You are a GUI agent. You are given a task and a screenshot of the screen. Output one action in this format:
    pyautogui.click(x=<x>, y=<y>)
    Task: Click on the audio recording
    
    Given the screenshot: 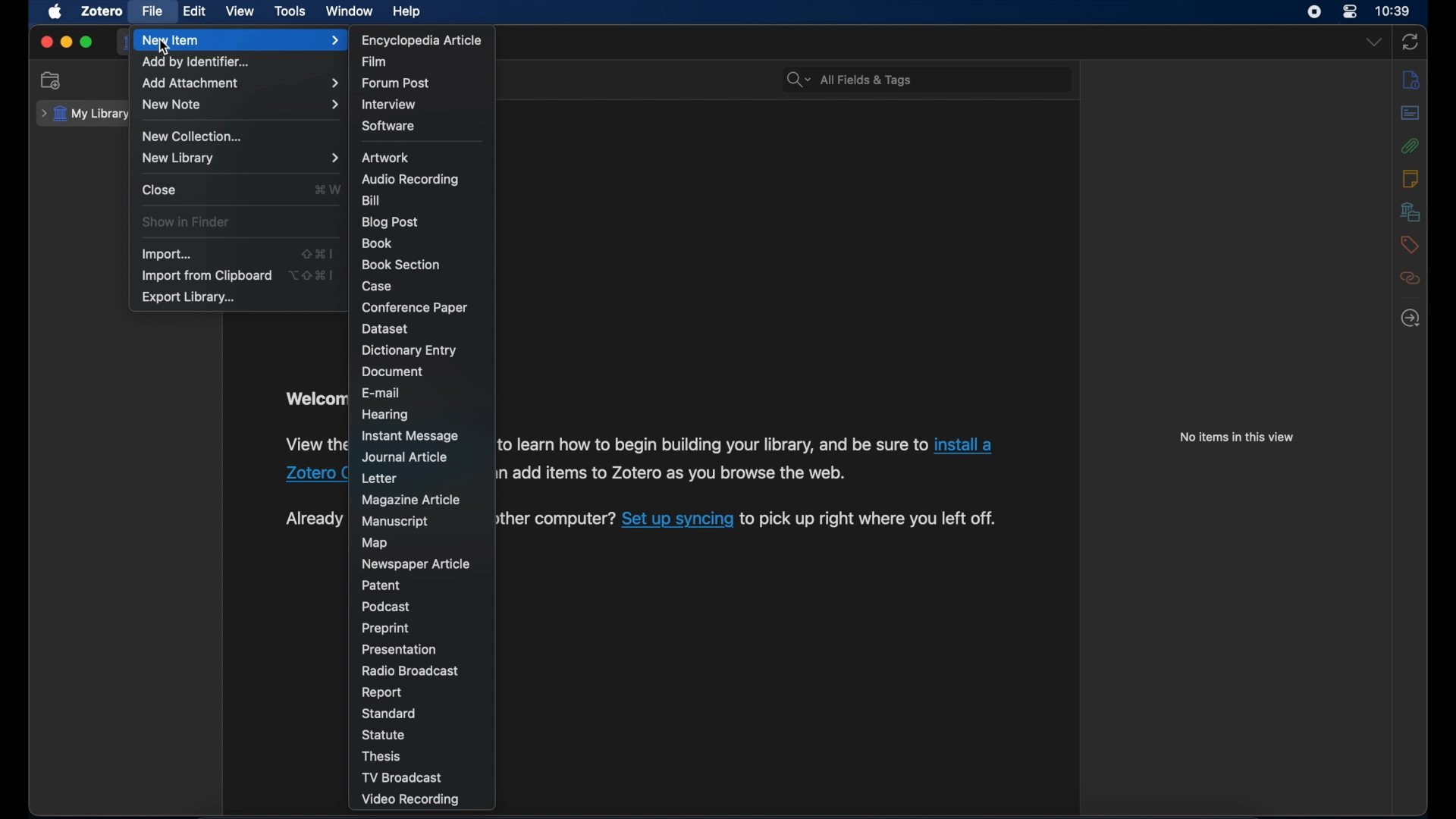 What is the action you would take?
    pyautogui.click(x=411, y=180)
    